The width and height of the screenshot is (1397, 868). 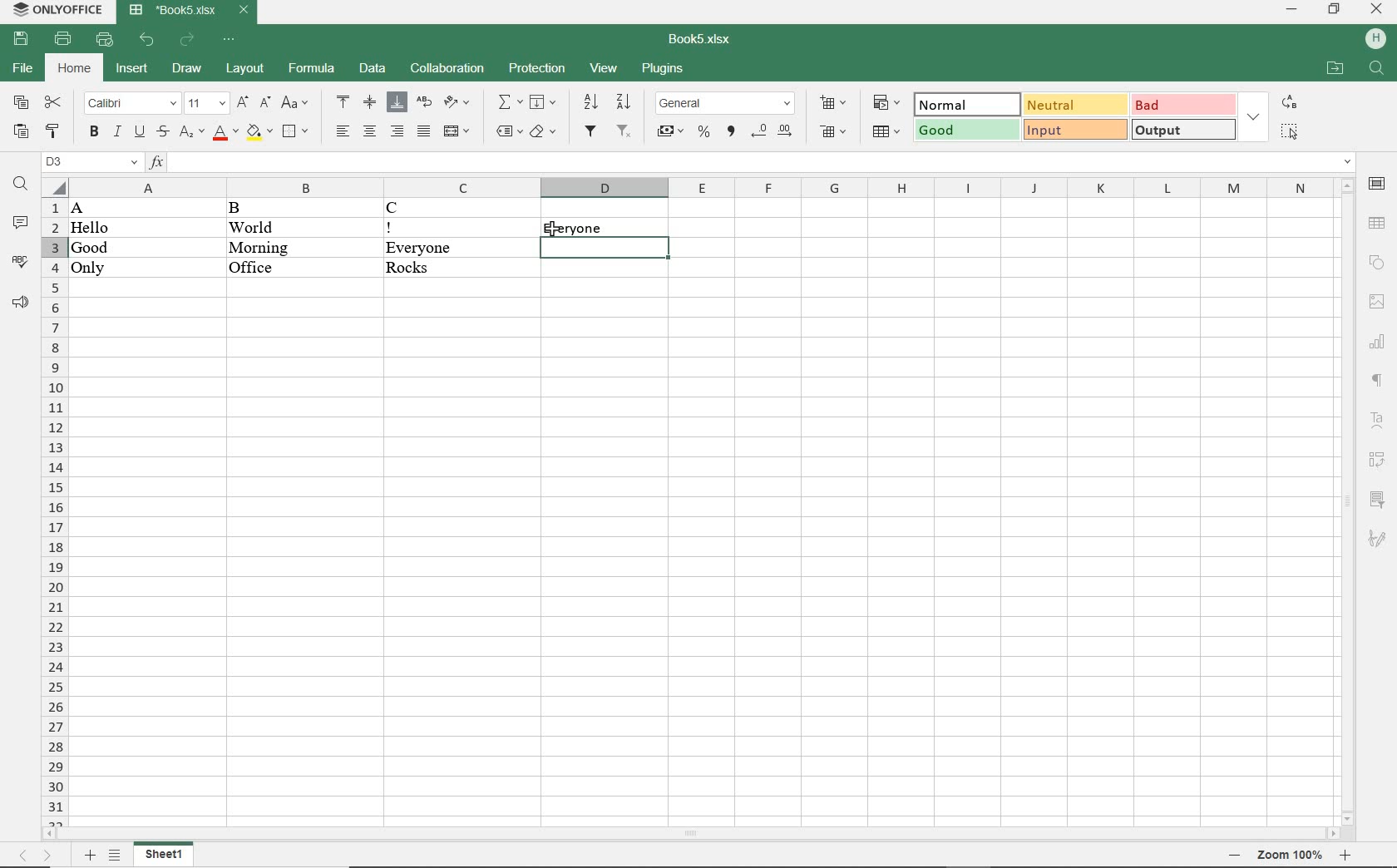 I want to click on table, so click(x=1377, y=223).